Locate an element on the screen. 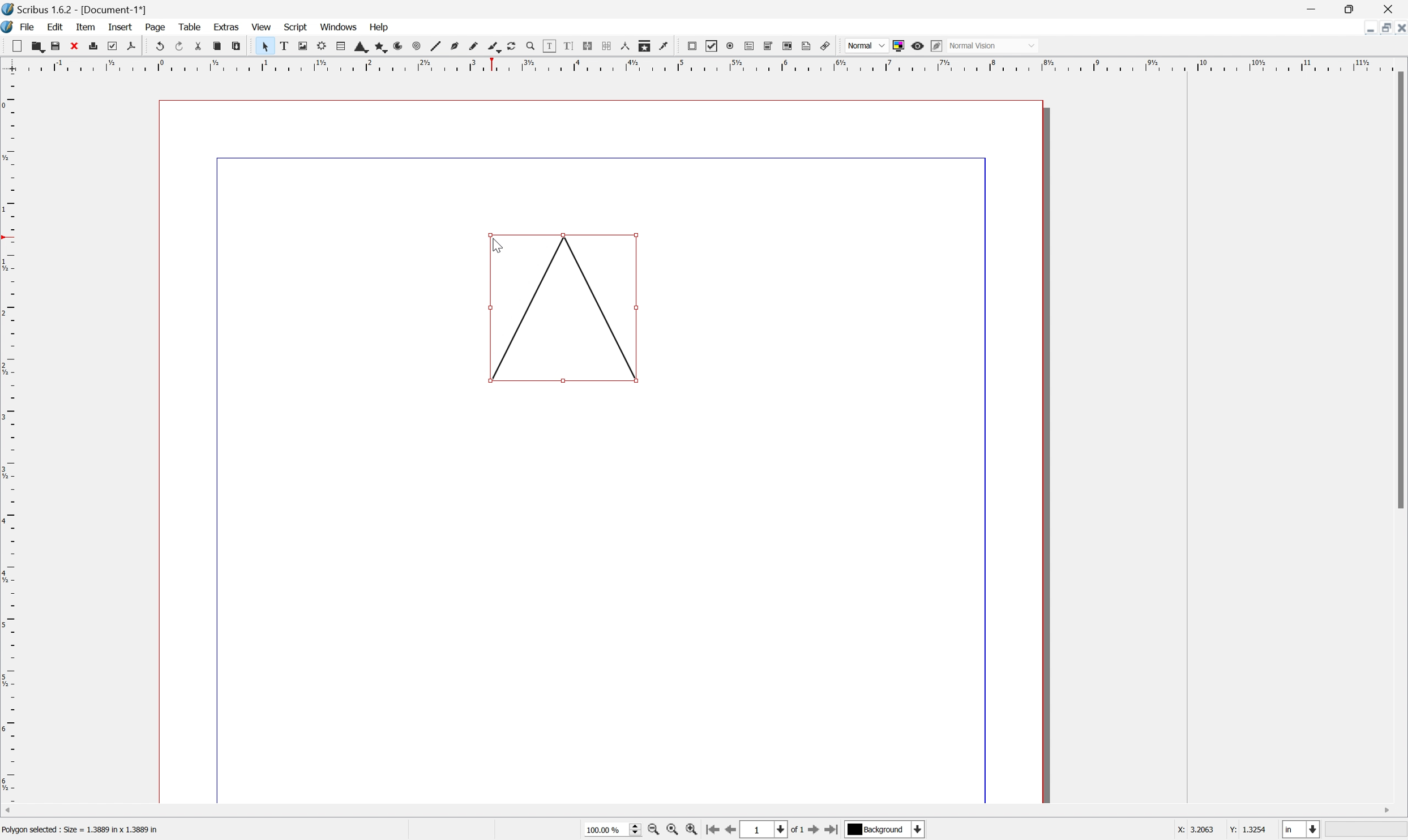  Normal Vision is located at coordinates (991, 45).